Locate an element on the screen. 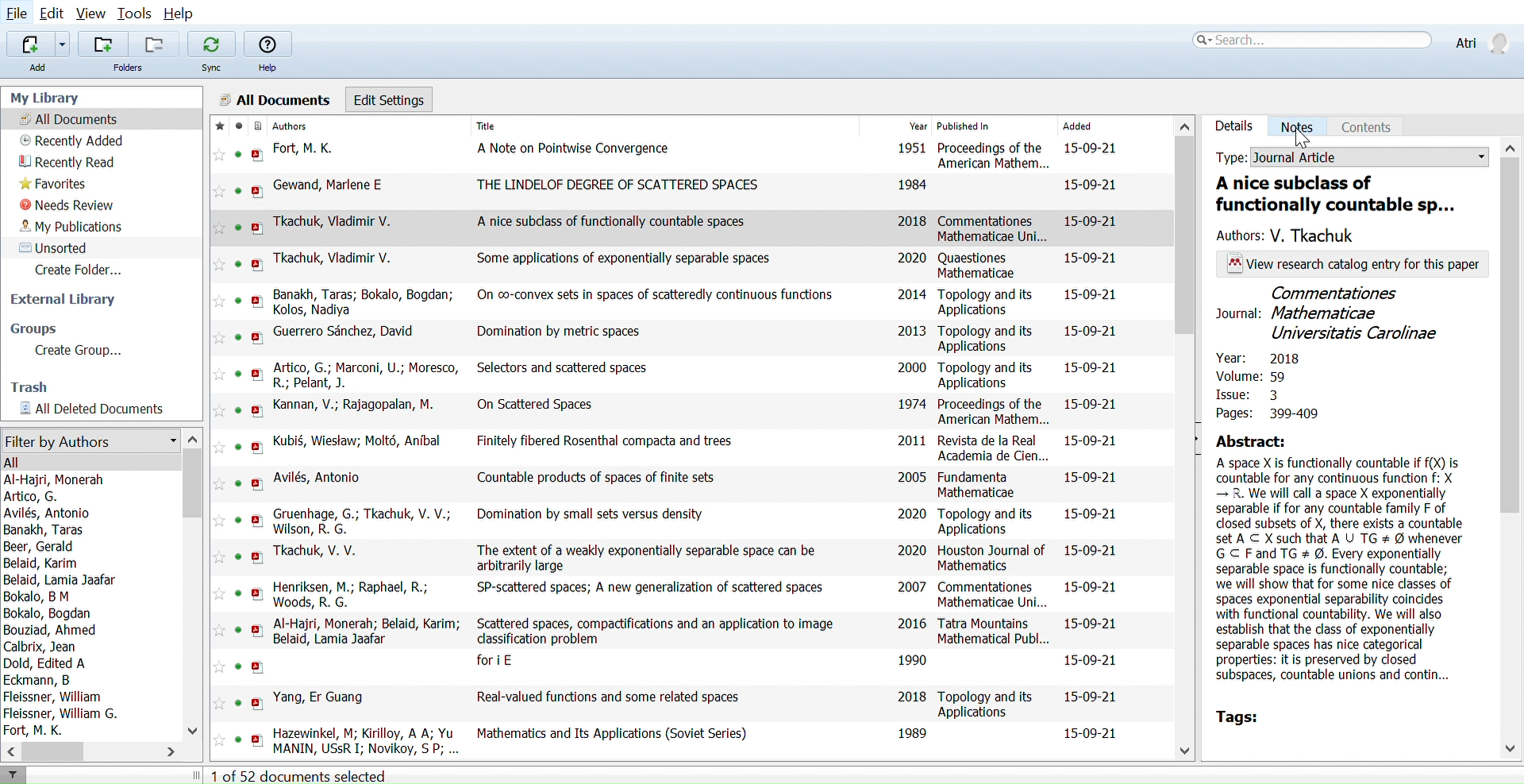 The width and height of the screenshot is (1524, 784). 2018 is located at coordinates (913, 221).